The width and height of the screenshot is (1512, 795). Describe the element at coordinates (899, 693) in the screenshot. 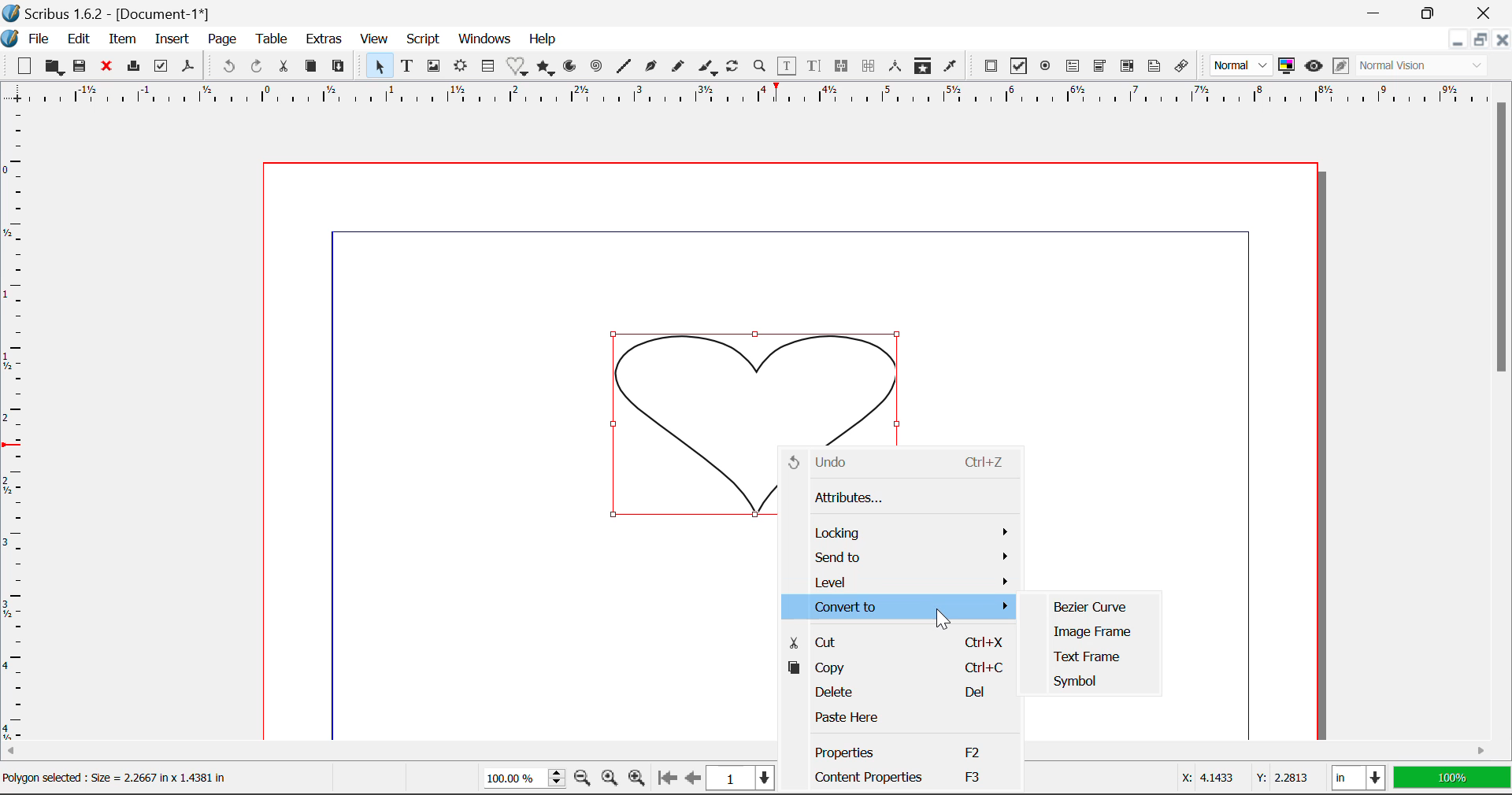

I see `Delete` at that location.